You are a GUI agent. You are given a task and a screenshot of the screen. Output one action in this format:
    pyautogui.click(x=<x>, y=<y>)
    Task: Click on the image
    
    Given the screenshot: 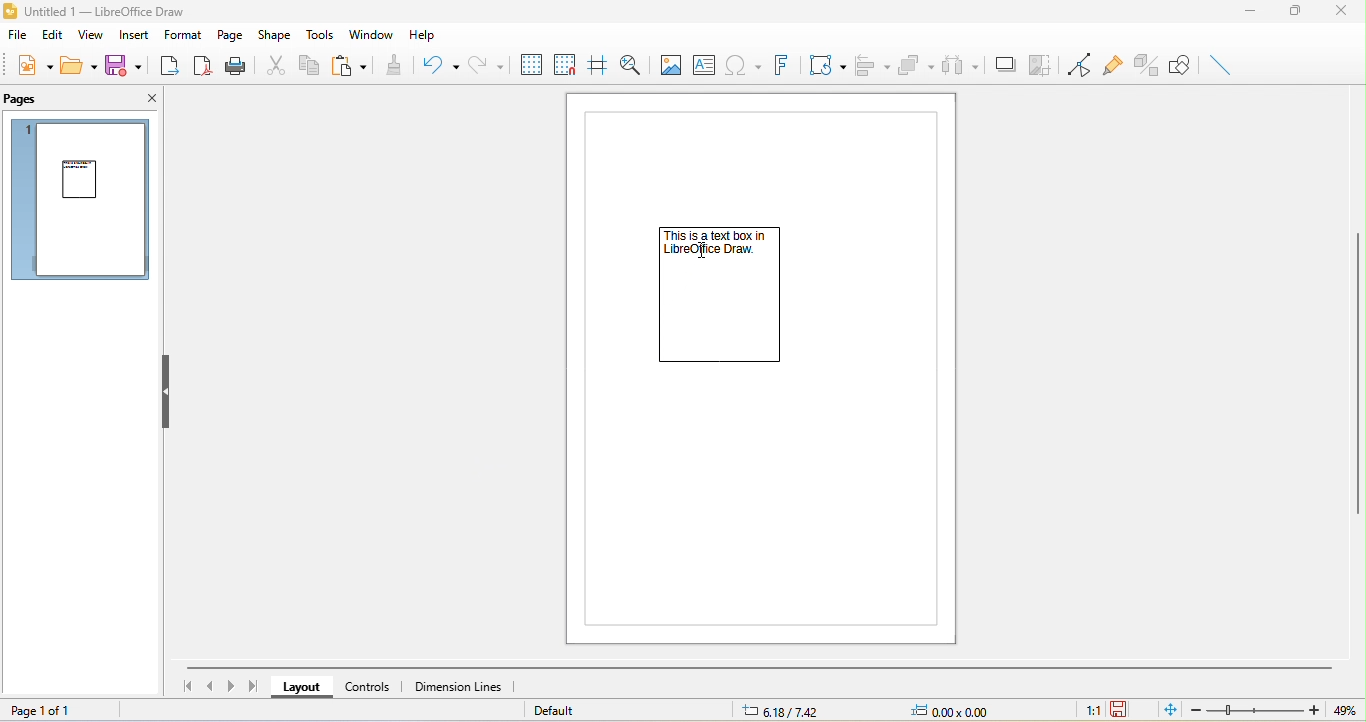 What is the action you would take?
    pyautogui.click(x=672, y=63)
    